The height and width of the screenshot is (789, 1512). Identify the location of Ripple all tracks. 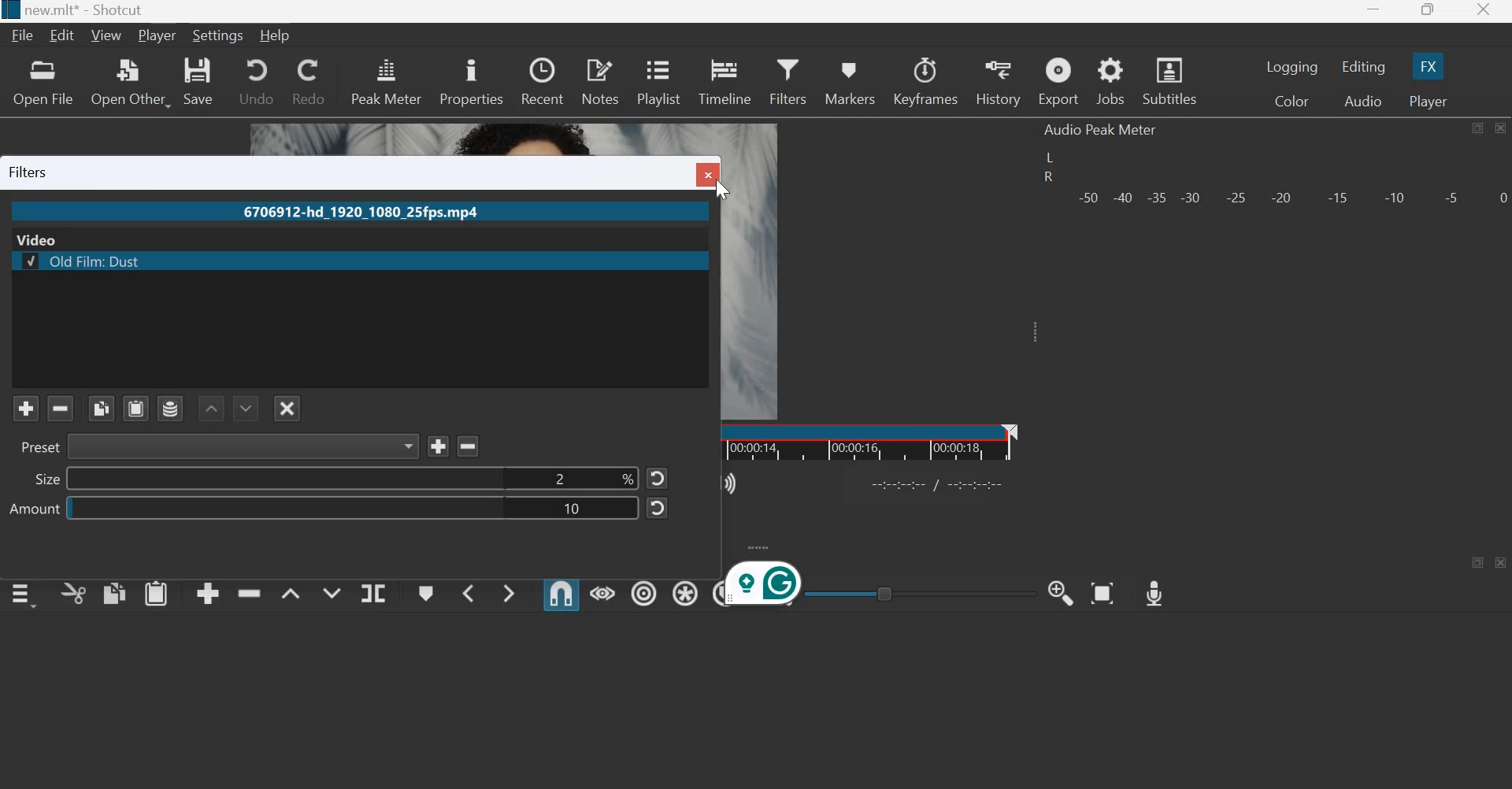
(682, 591).